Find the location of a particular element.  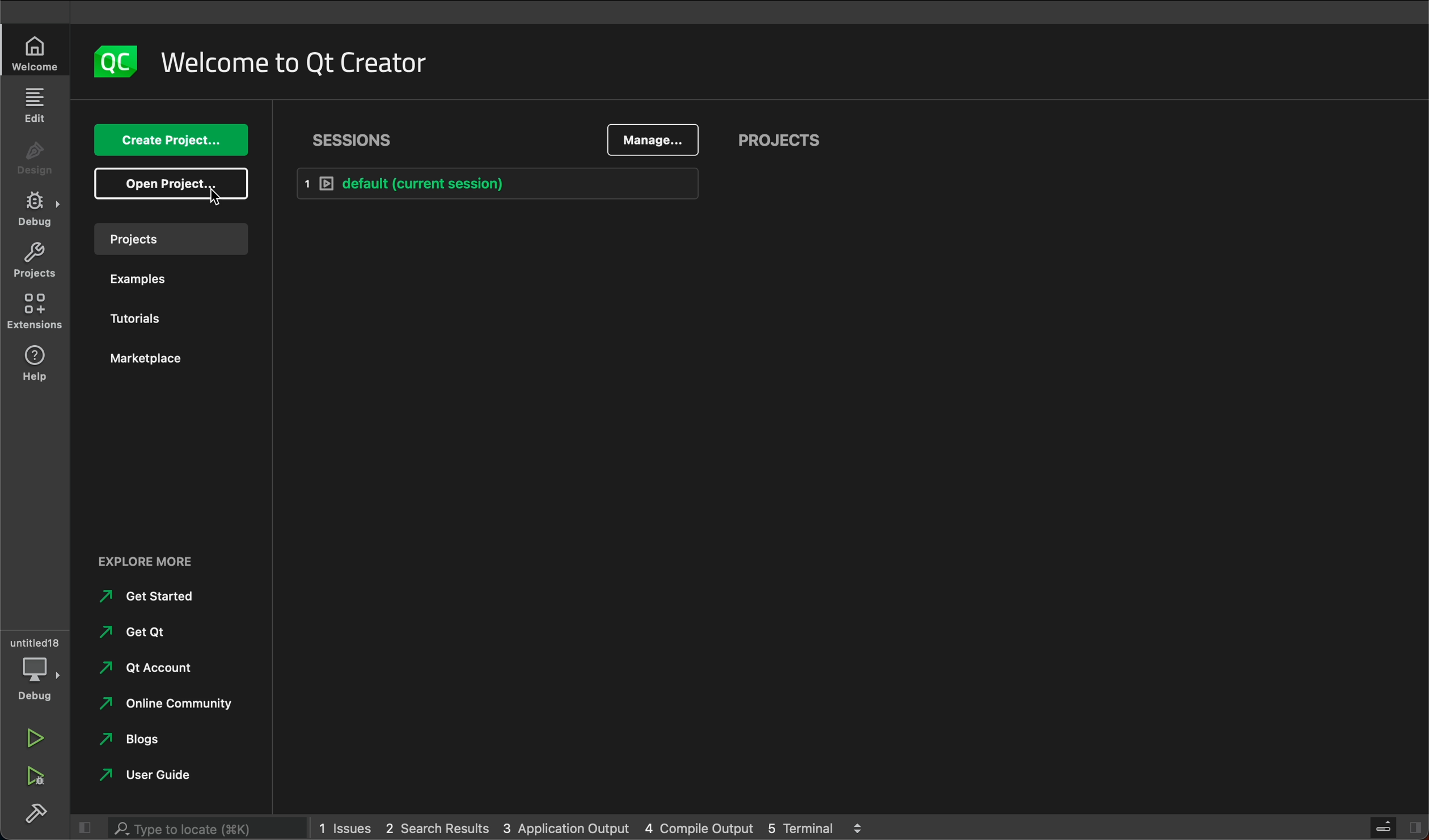

run is located at coordinates (33, 736).